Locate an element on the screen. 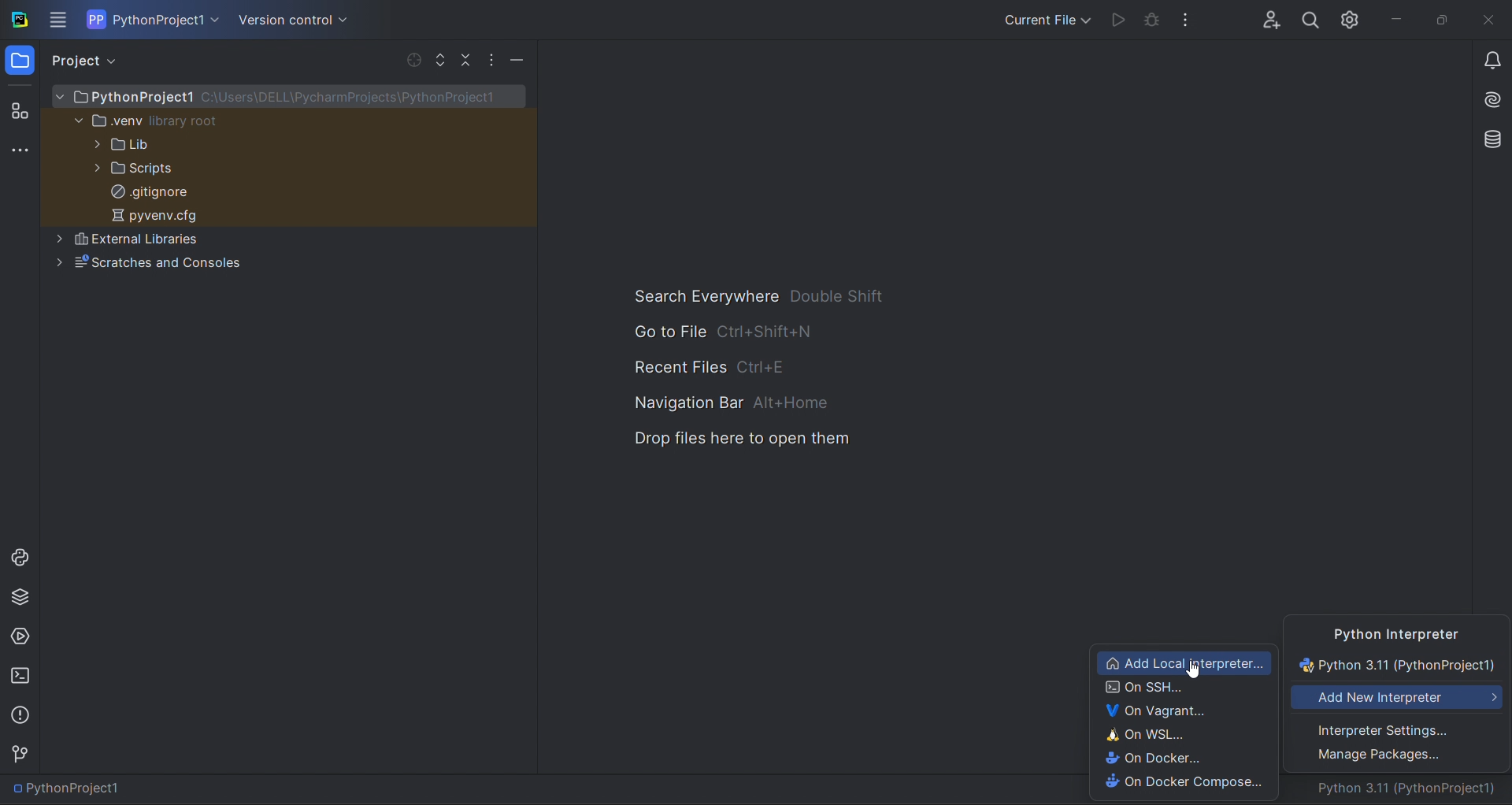 The width and height of the screenshot is (1512, 805). version control is located at coordinates (22, 754).